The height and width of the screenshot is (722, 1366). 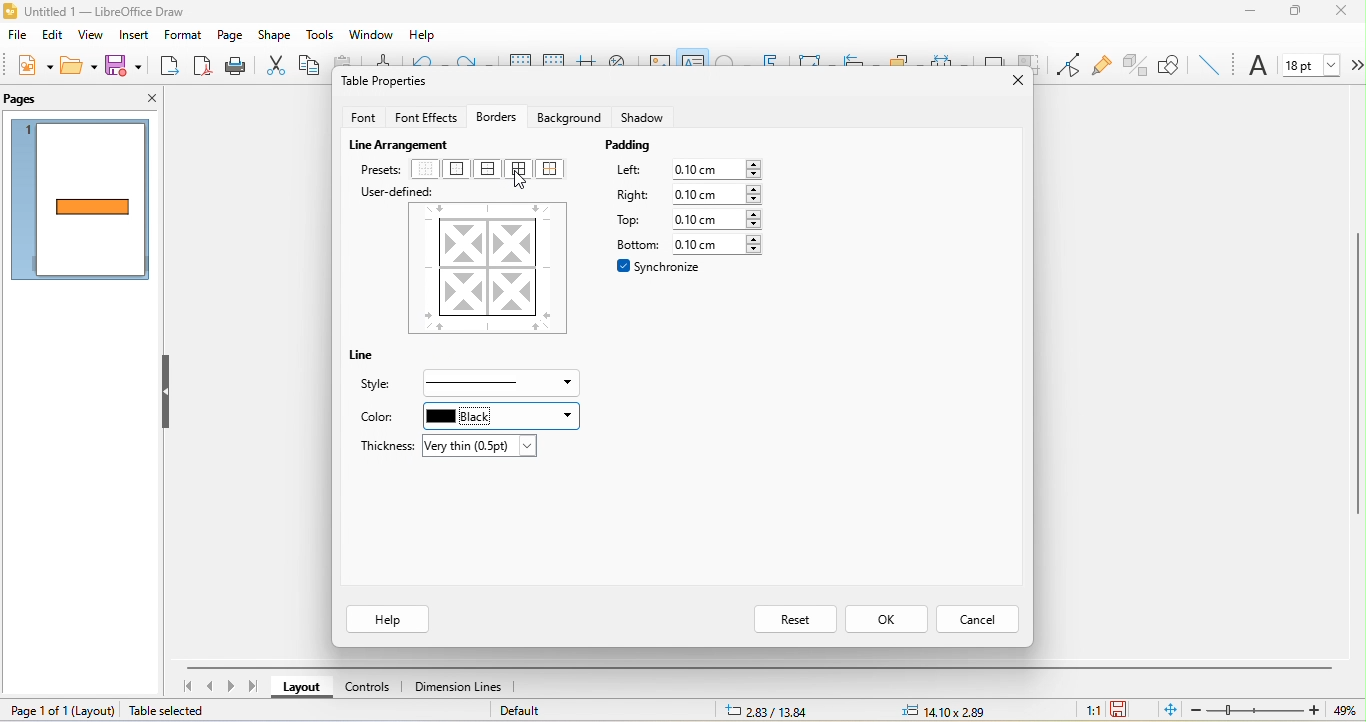 What do you see at coordinates (274, 35) in the screenshot?
I see `shape` at bounding box center [274, 35].